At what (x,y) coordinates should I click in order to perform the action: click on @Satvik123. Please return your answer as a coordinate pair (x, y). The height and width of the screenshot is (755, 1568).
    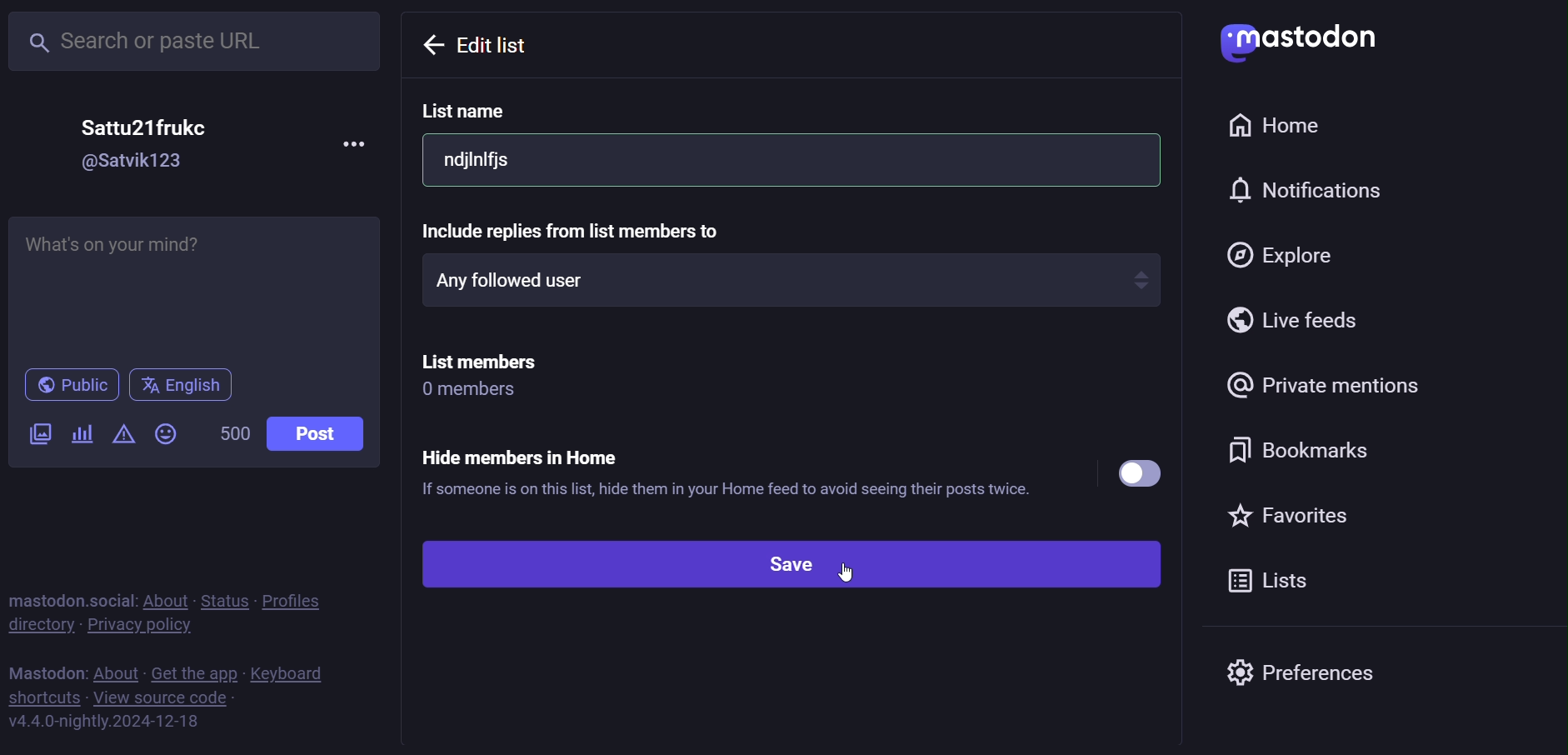
    Looking at the image, I should click on (139, 162).